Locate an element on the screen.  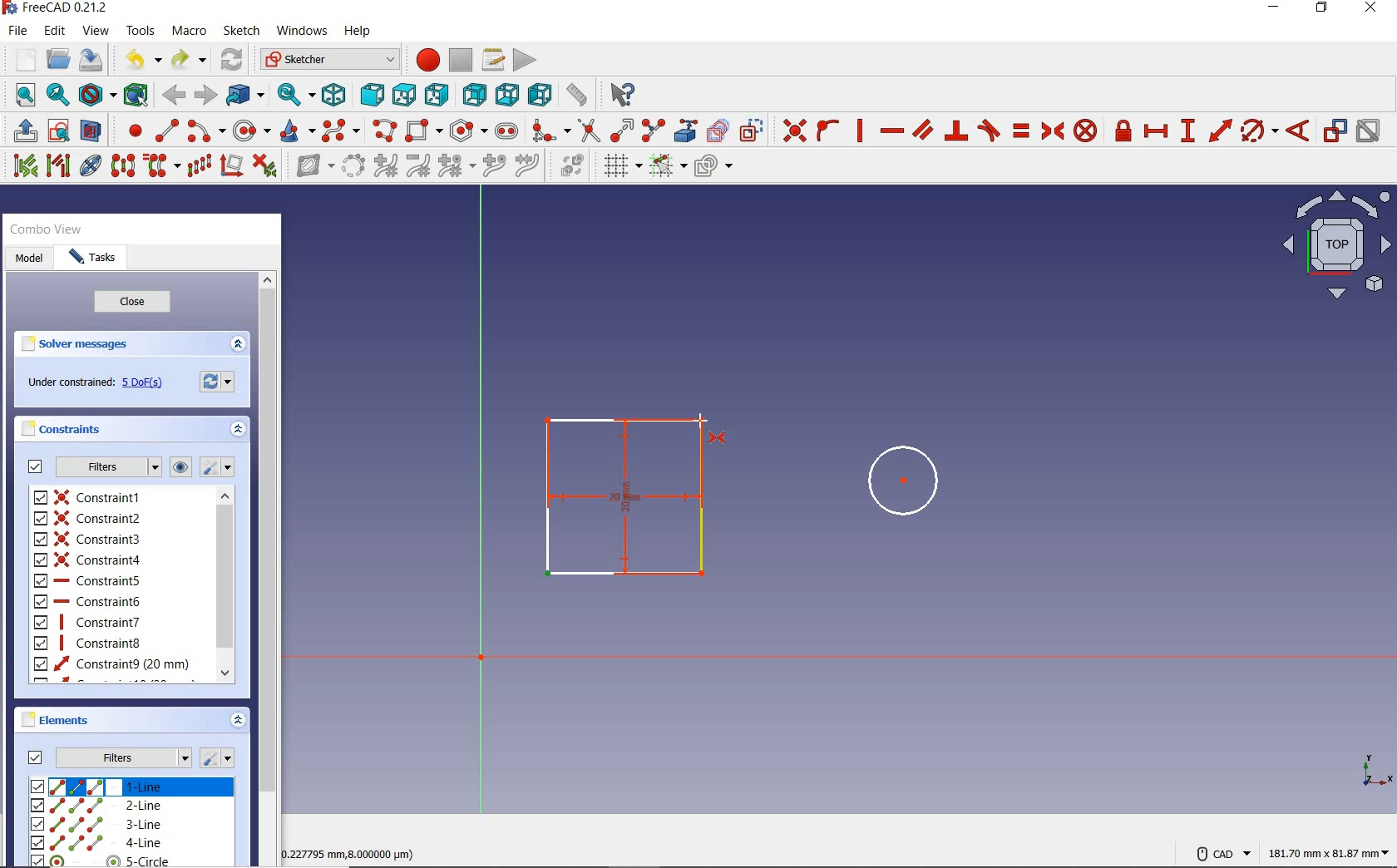
bottom is located at coordinates (508, 96).